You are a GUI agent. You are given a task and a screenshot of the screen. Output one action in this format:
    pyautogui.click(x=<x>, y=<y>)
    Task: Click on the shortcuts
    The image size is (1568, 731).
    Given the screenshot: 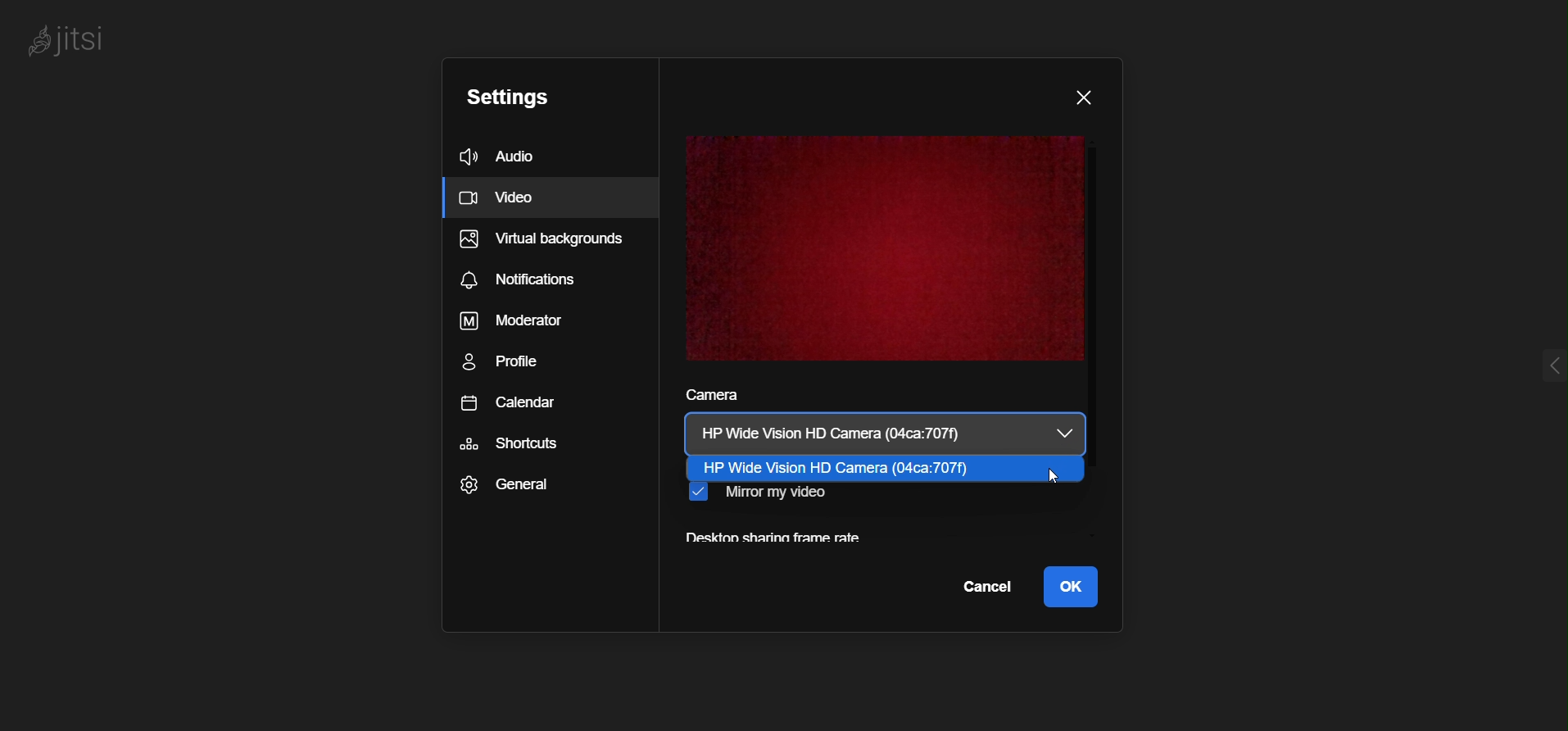 What is the action you would take?
    pyautogui.click(x=510, y=444)
    